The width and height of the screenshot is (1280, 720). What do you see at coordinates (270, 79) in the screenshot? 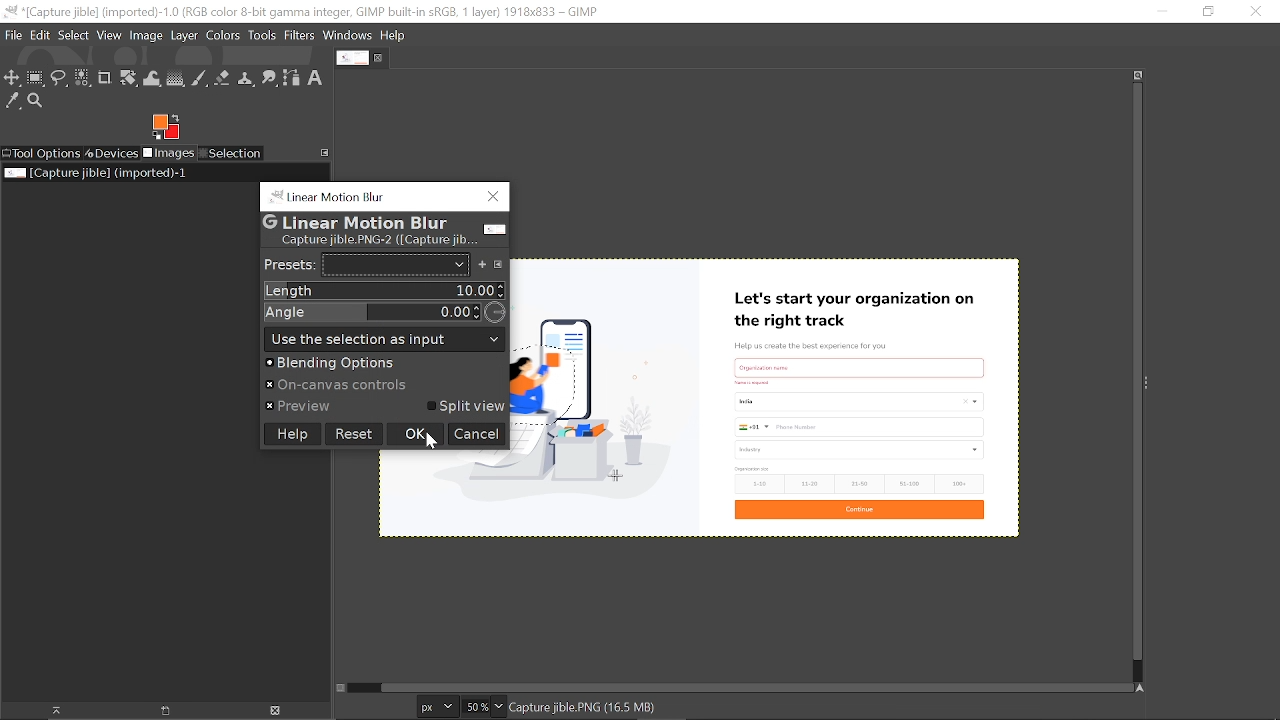
I see `Smudge tool` at bounding box center [270, 79].